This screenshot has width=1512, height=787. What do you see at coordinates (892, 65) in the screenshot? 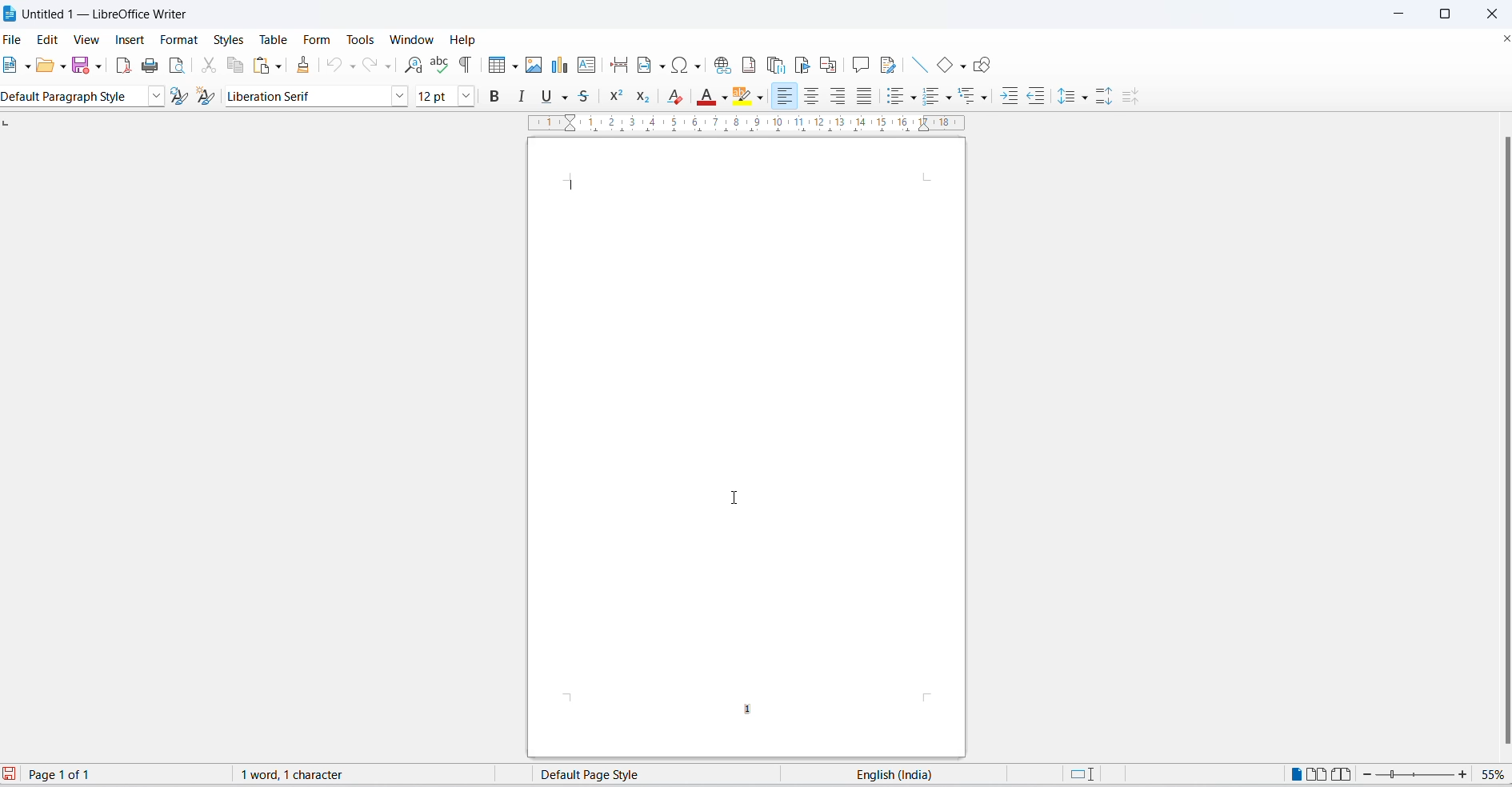
I see `show track changes functions` at bounding box center [892, 65].